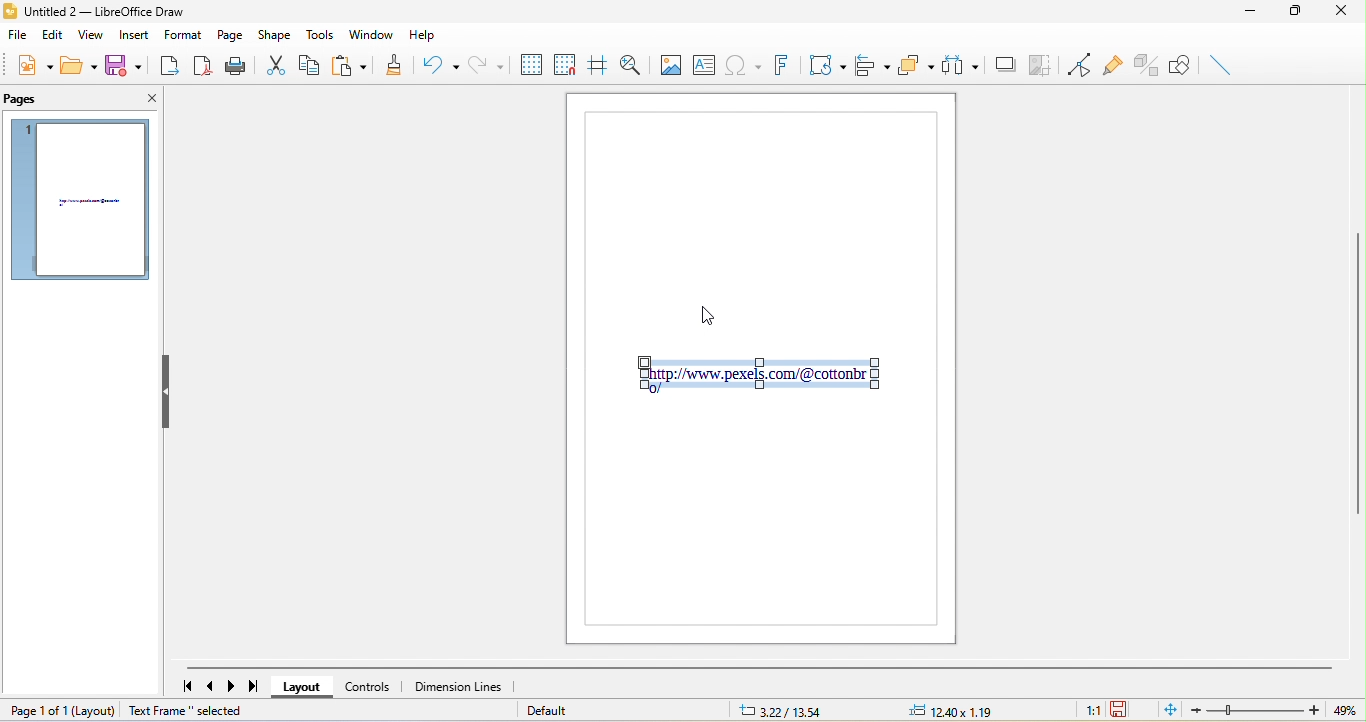 The image size is (1366, 722). Describe the element at coordinates (1110, 65) in the screenshot. I see `gluepoint function` at that location.